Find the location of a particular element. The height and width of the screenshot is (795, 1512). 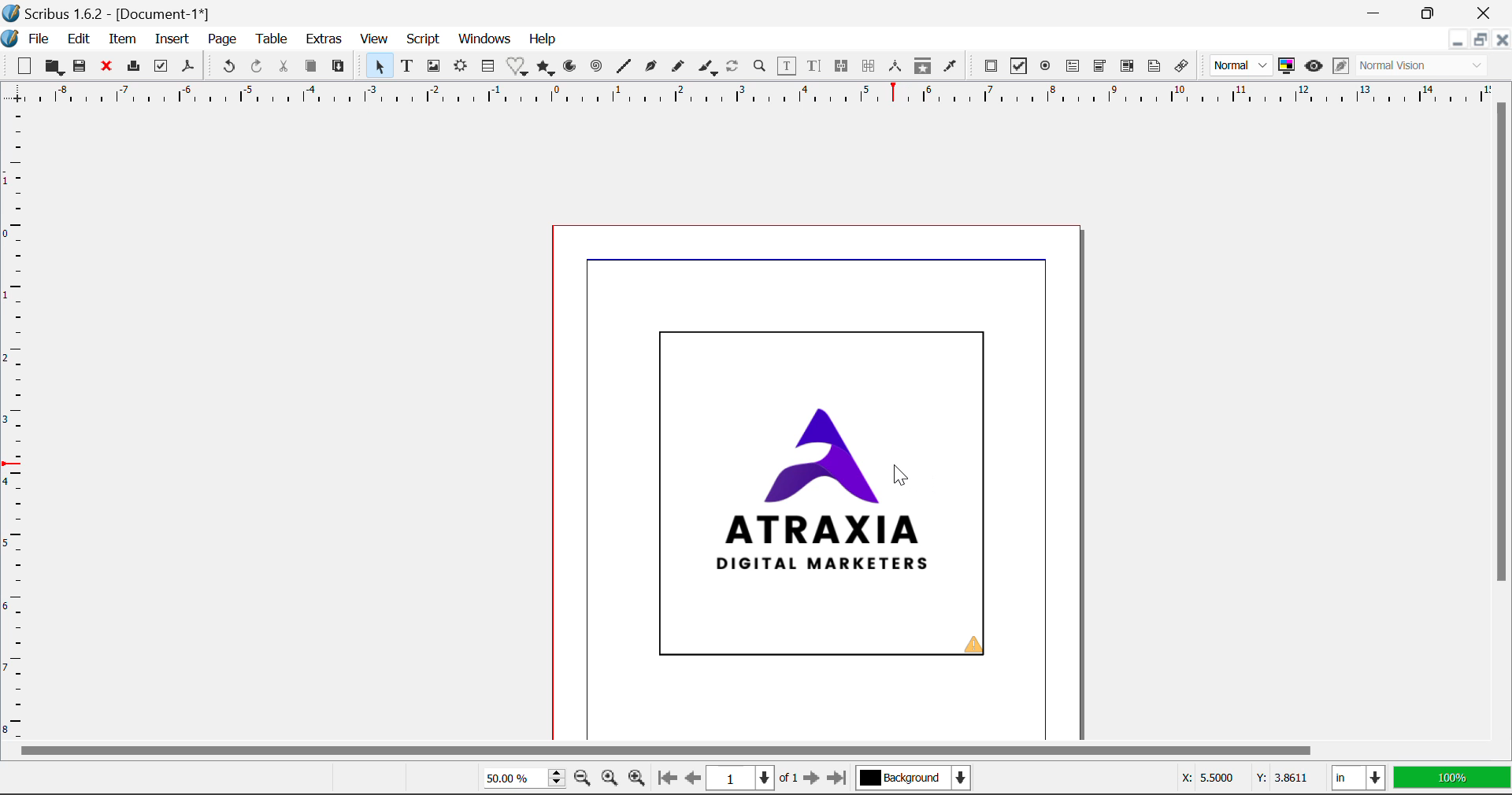

Link Annotation is located at coordinates (1184, 68).